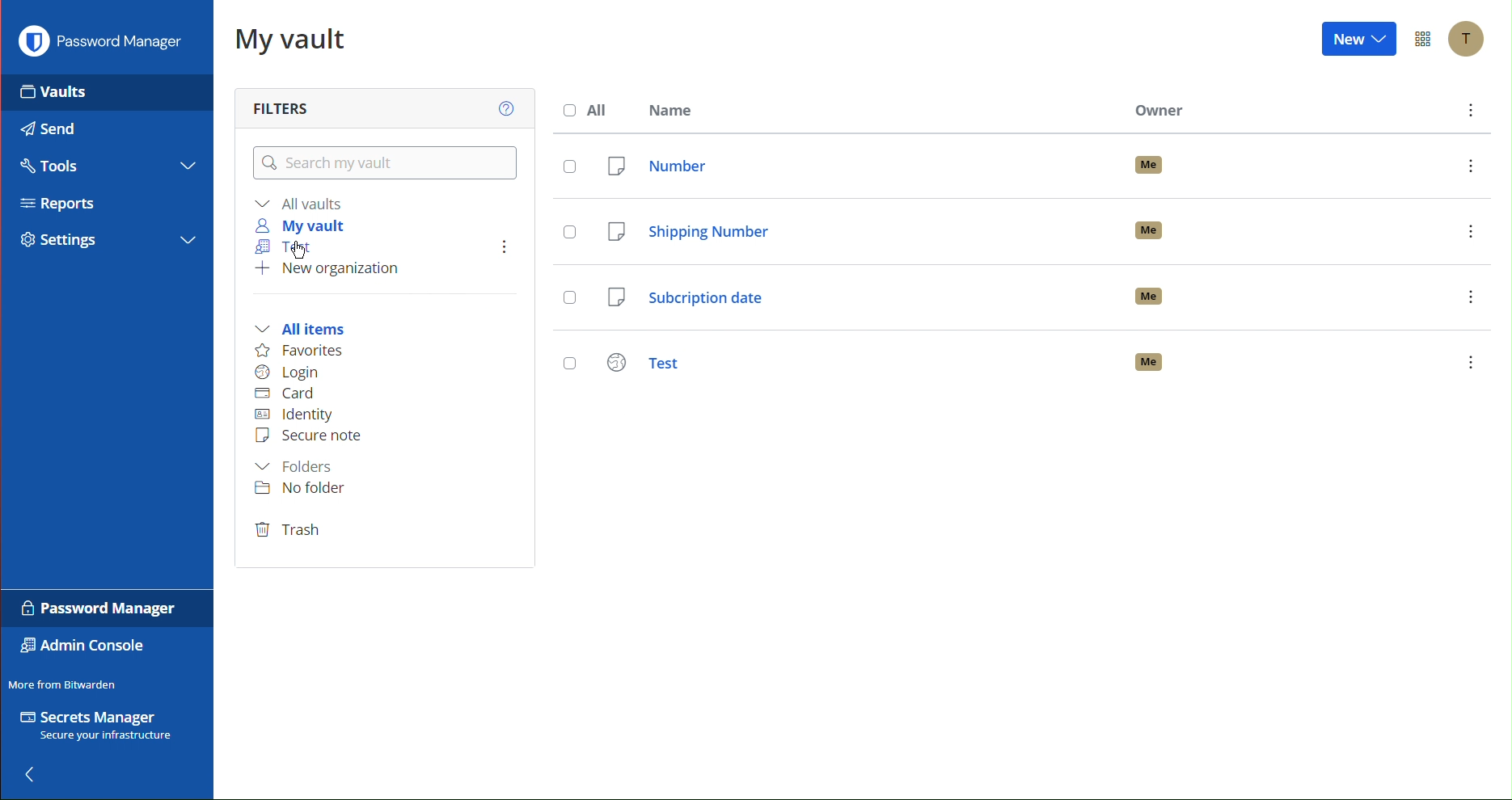  Describe the element at coordinates (1043, 231) in the screenshot. I see `Shipping Number` at that location.